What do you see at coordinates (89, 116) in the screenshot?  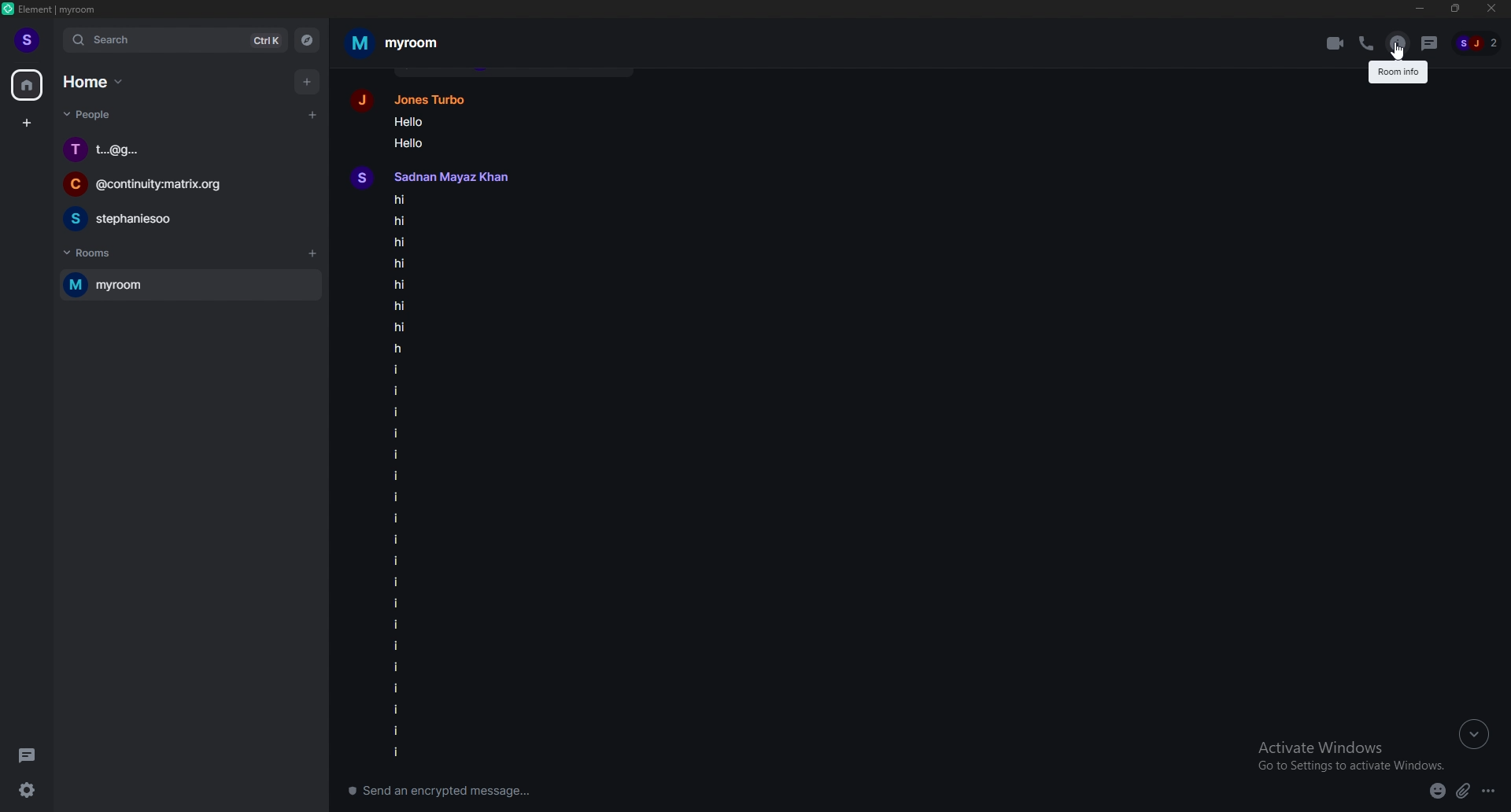 I see `people` at bounding box center [89, 116].